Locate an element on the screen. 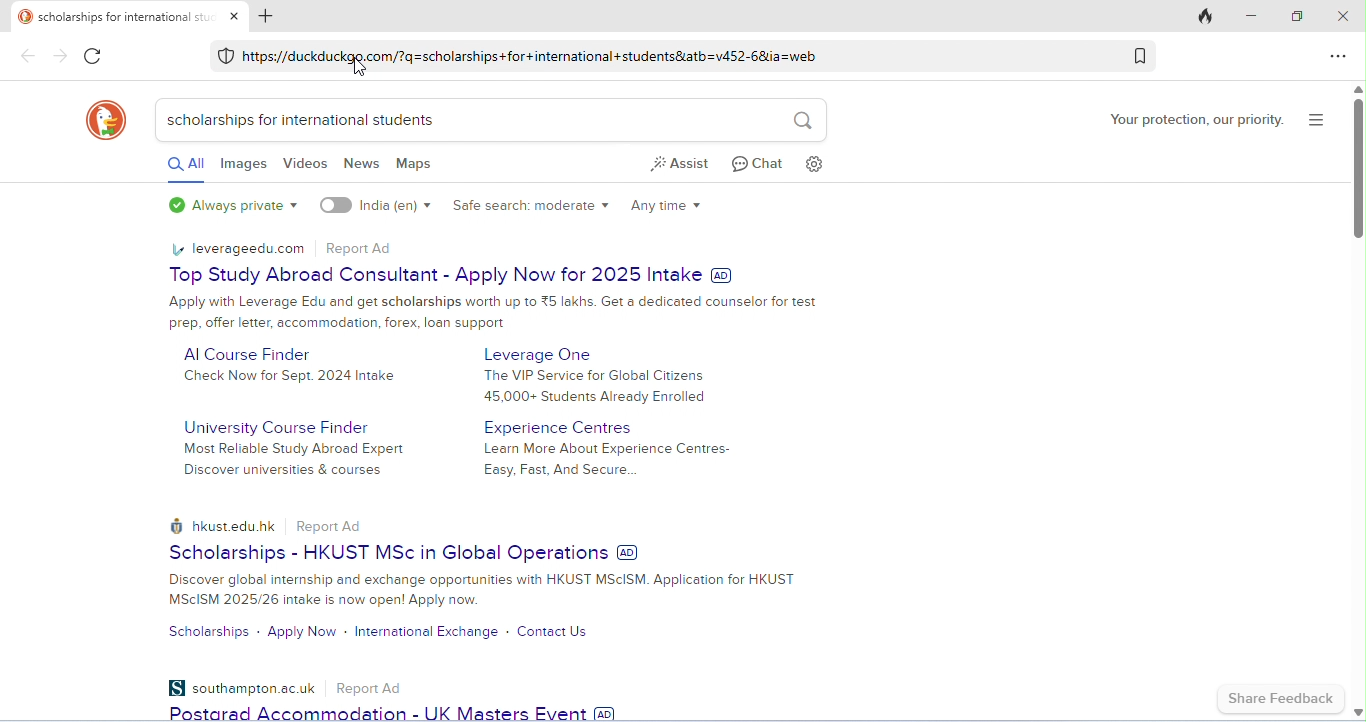  any time is located at coordinates (674, 208).